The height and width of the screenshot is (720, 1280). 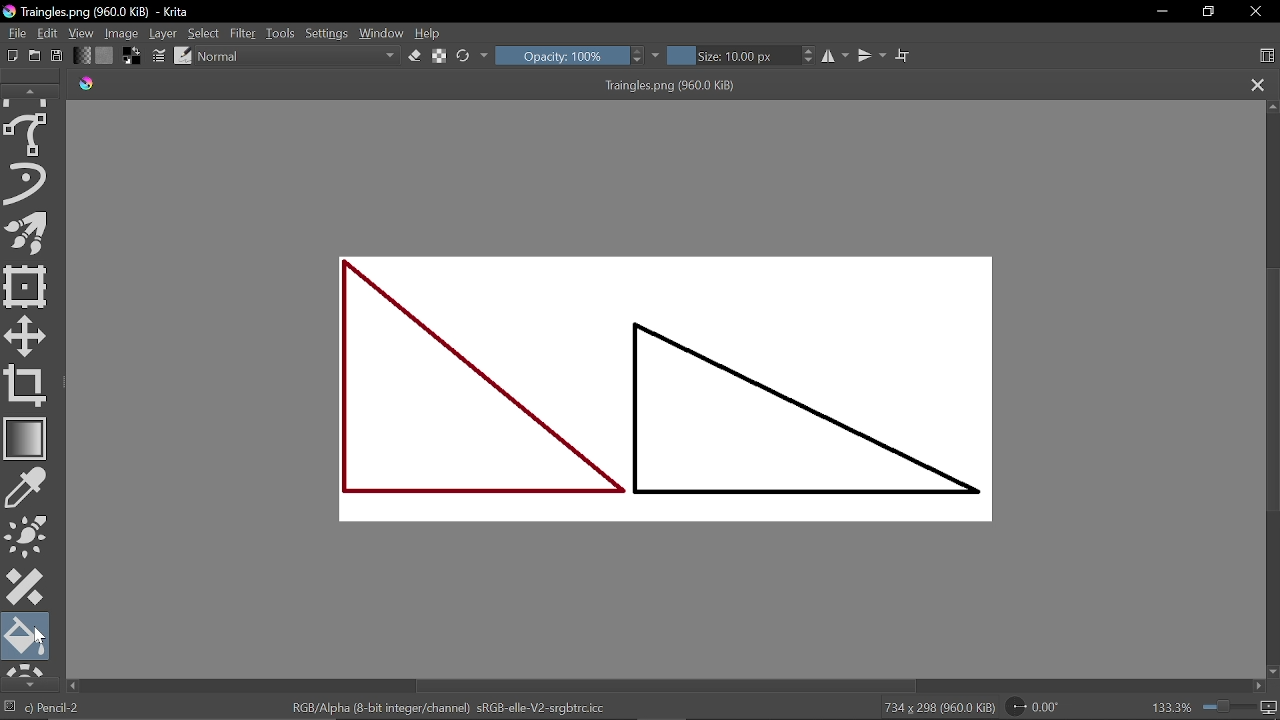 What do you see at coordinates (1226, 708) in the screenshot?
I see `Zoom` at bounding box center [1226, 708].